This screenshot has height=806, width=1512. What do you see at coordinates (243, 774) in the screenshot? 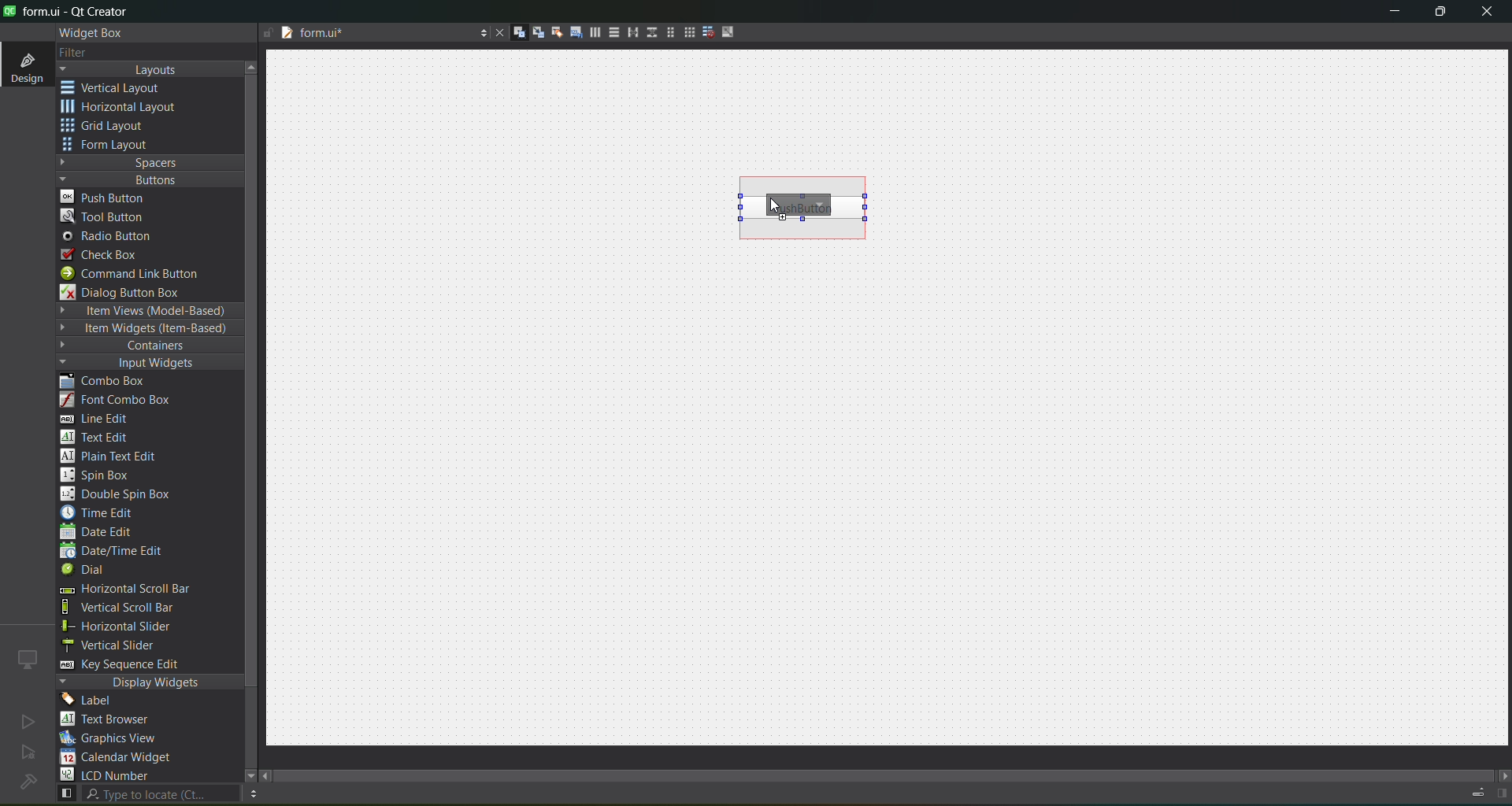
I see `move down` at bounding box center [243, 774].